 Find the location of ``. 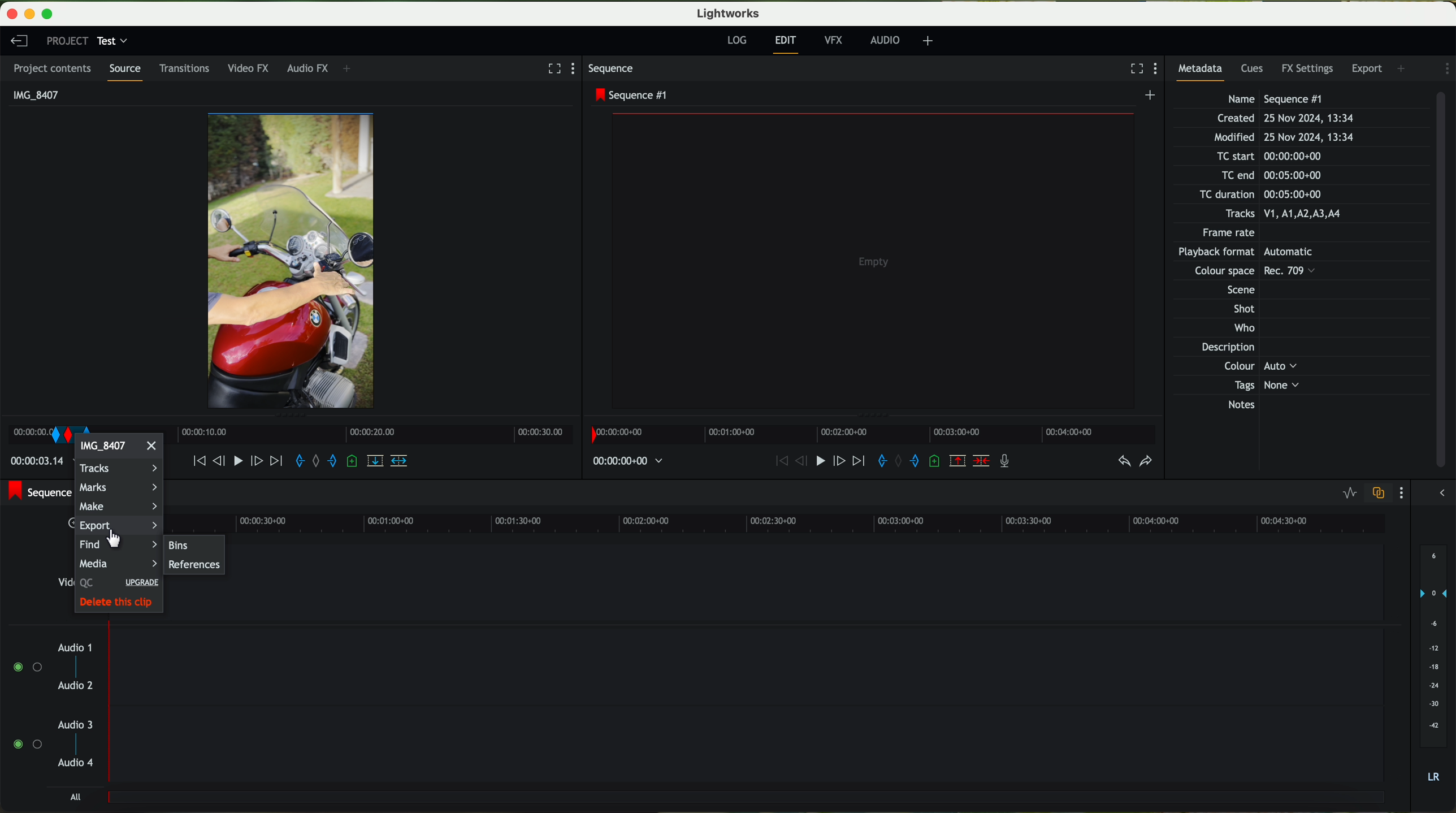

 is located at coordinates (1236, 288).